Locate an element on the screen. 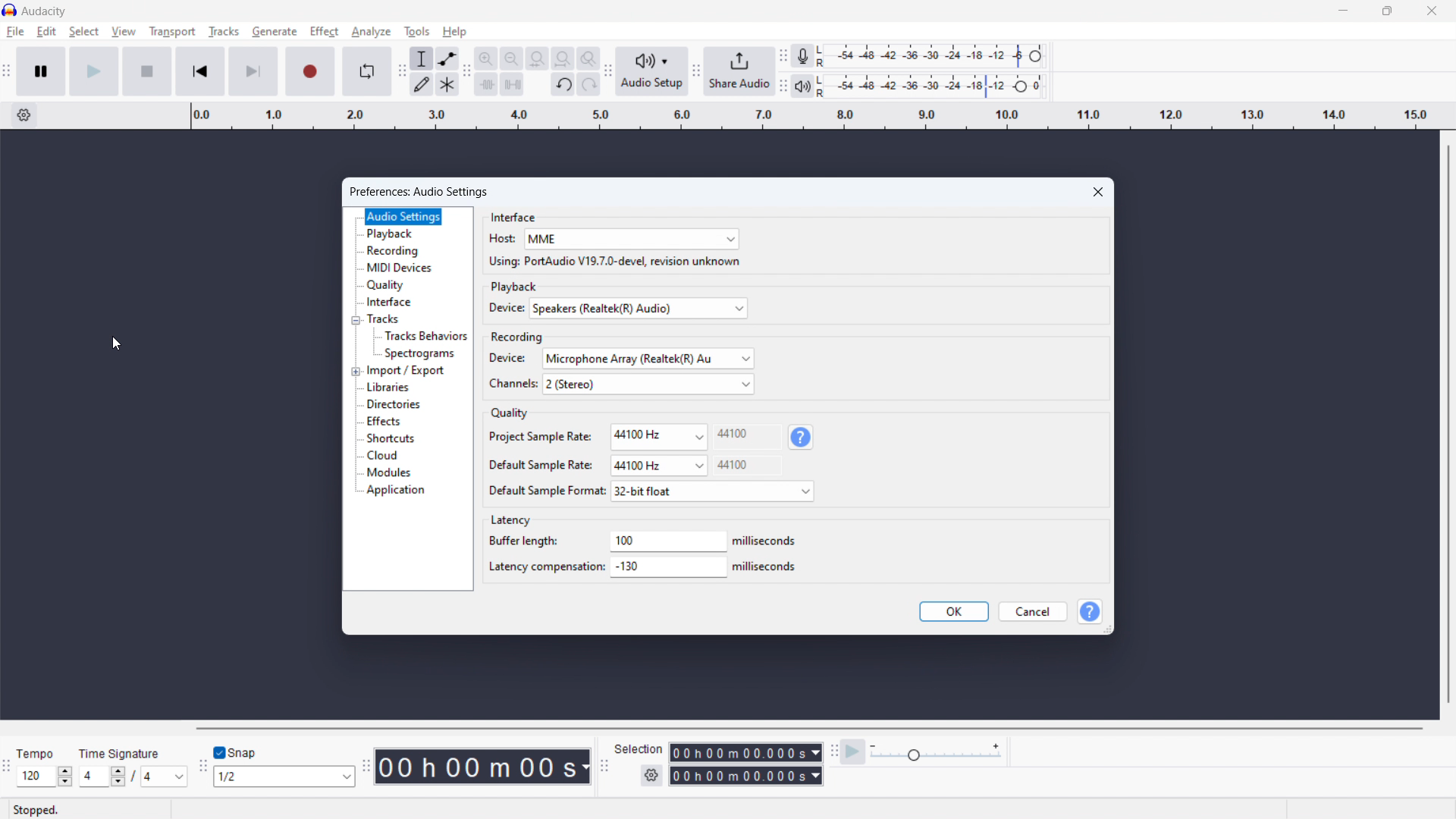 The image size is (1456, 819). close is located at coordinates (1430, 12).